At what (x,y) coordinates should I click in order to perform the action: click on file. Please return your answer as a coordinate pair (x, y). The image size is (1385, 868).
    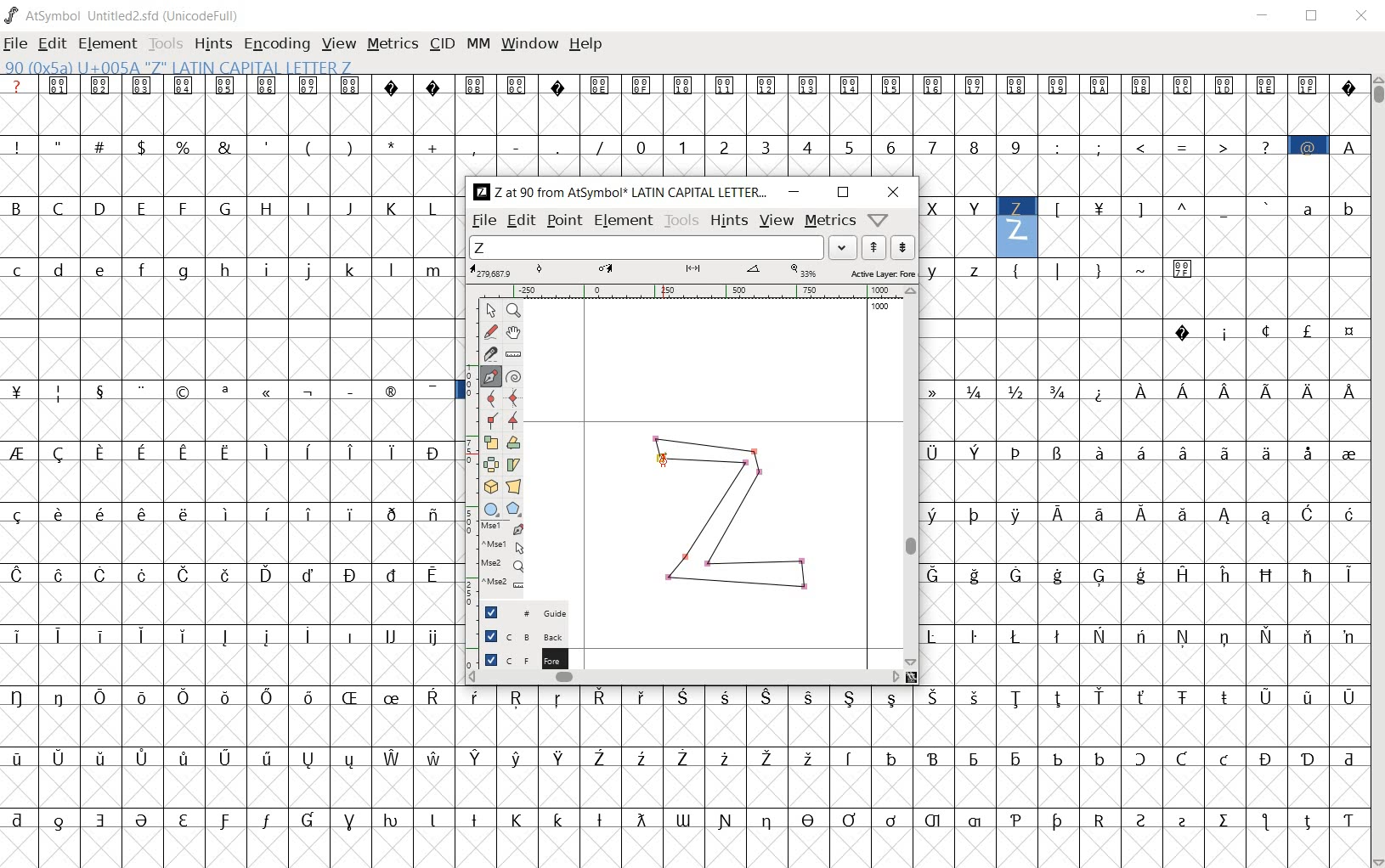
    Looking at the image, I should click on (483, 222).